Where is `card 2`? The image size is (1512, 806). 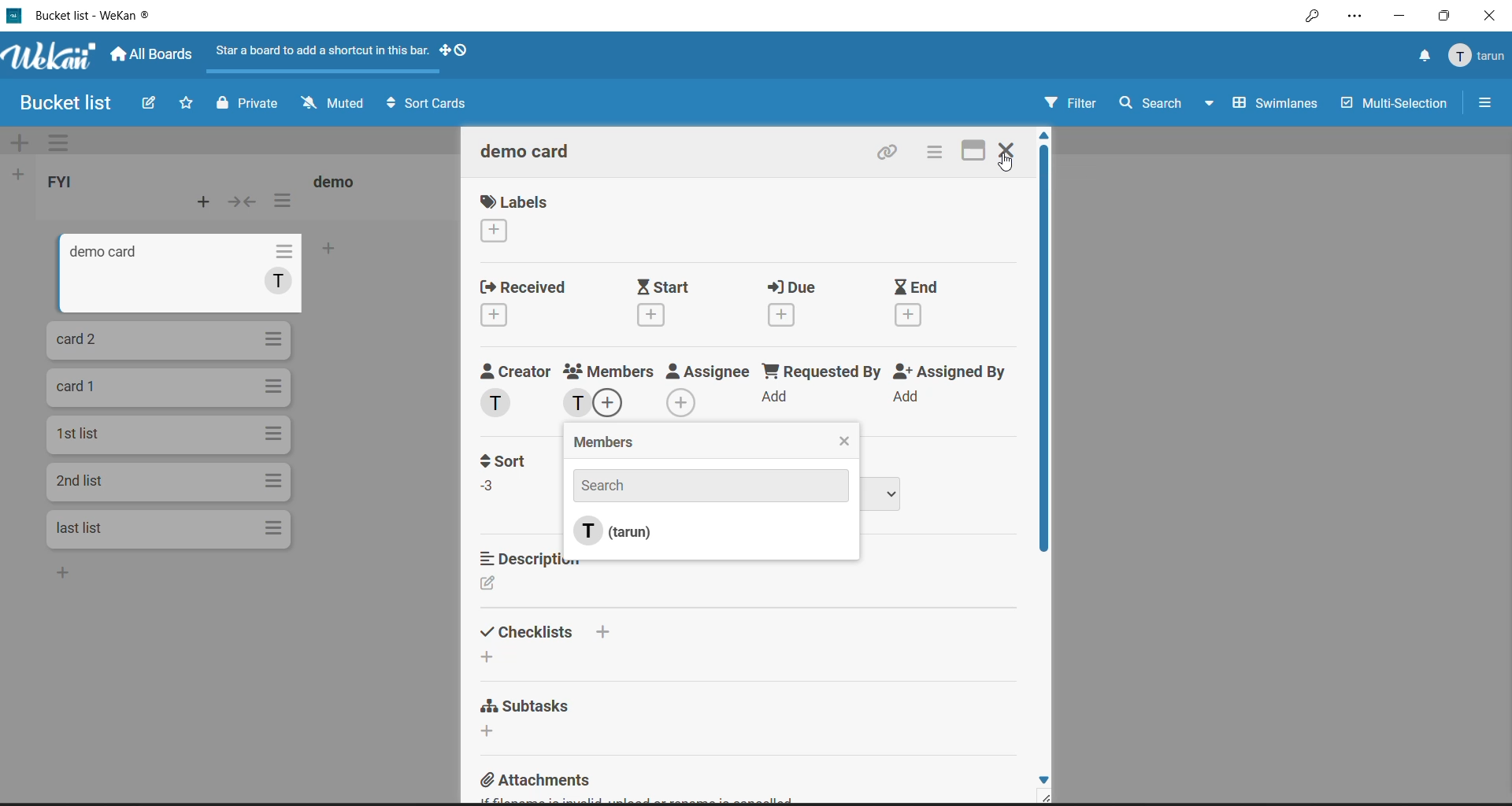 card 2 is located at coordinates (81, 341).